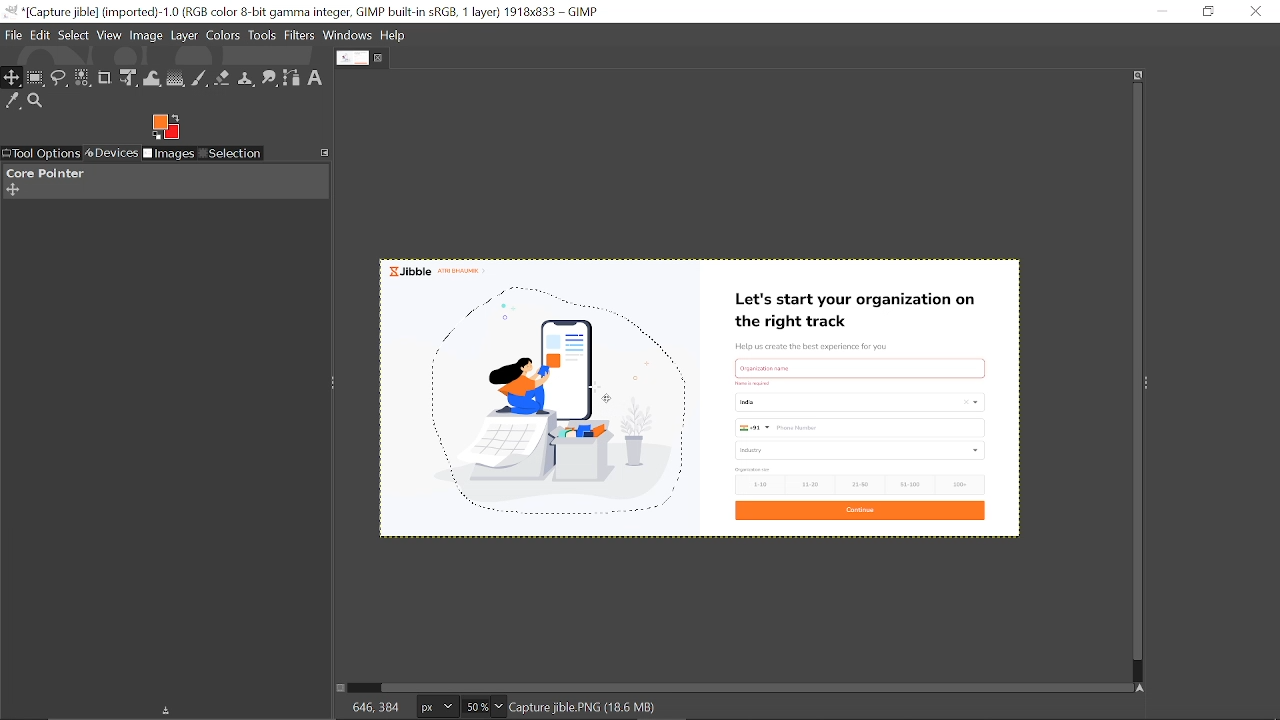  I want to click on Devices, so click(110, 154).